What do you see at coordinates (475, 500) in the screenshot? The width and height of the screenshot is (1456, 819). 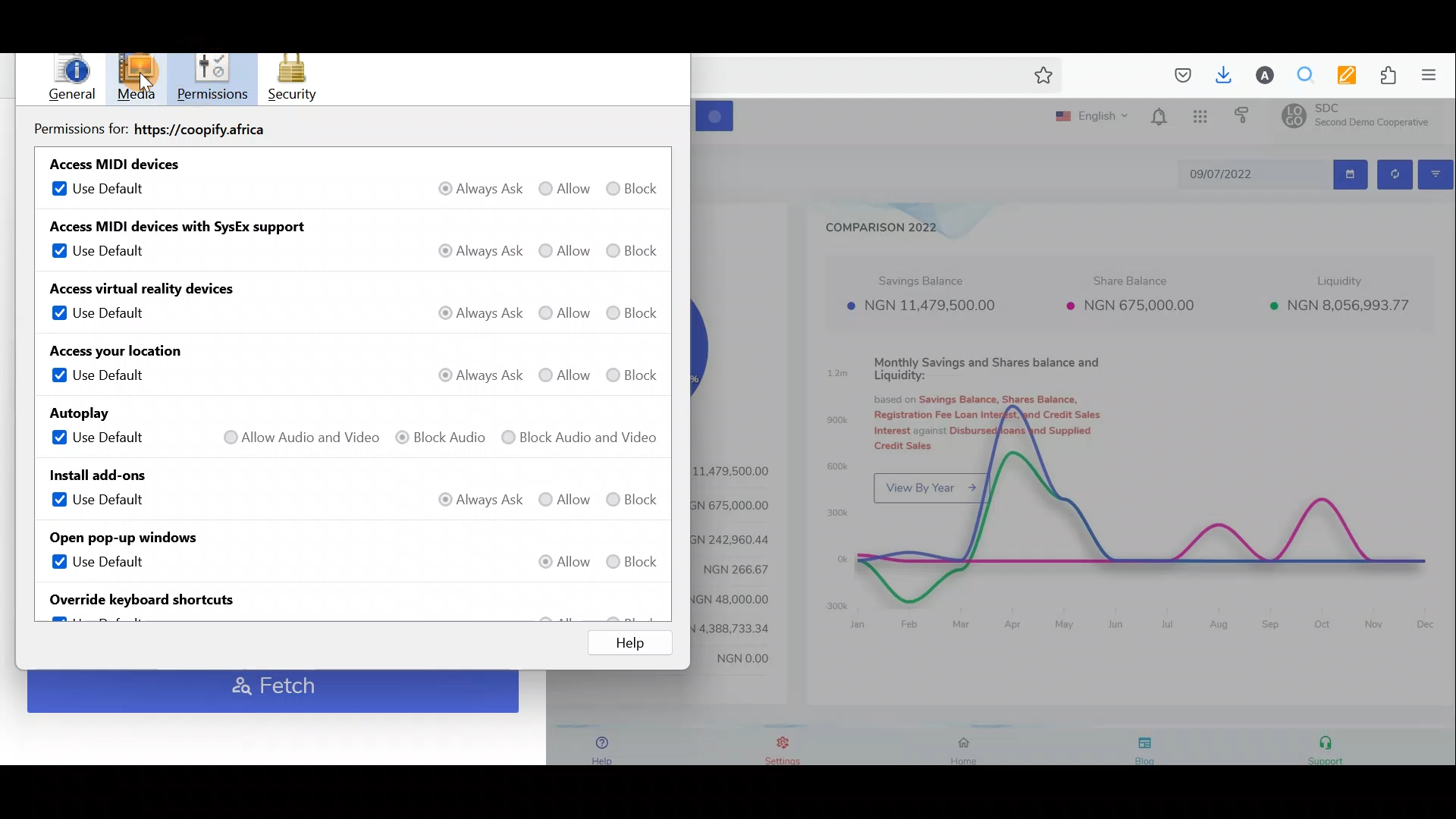 I see `Always ask` at bounding box center [475, 500].